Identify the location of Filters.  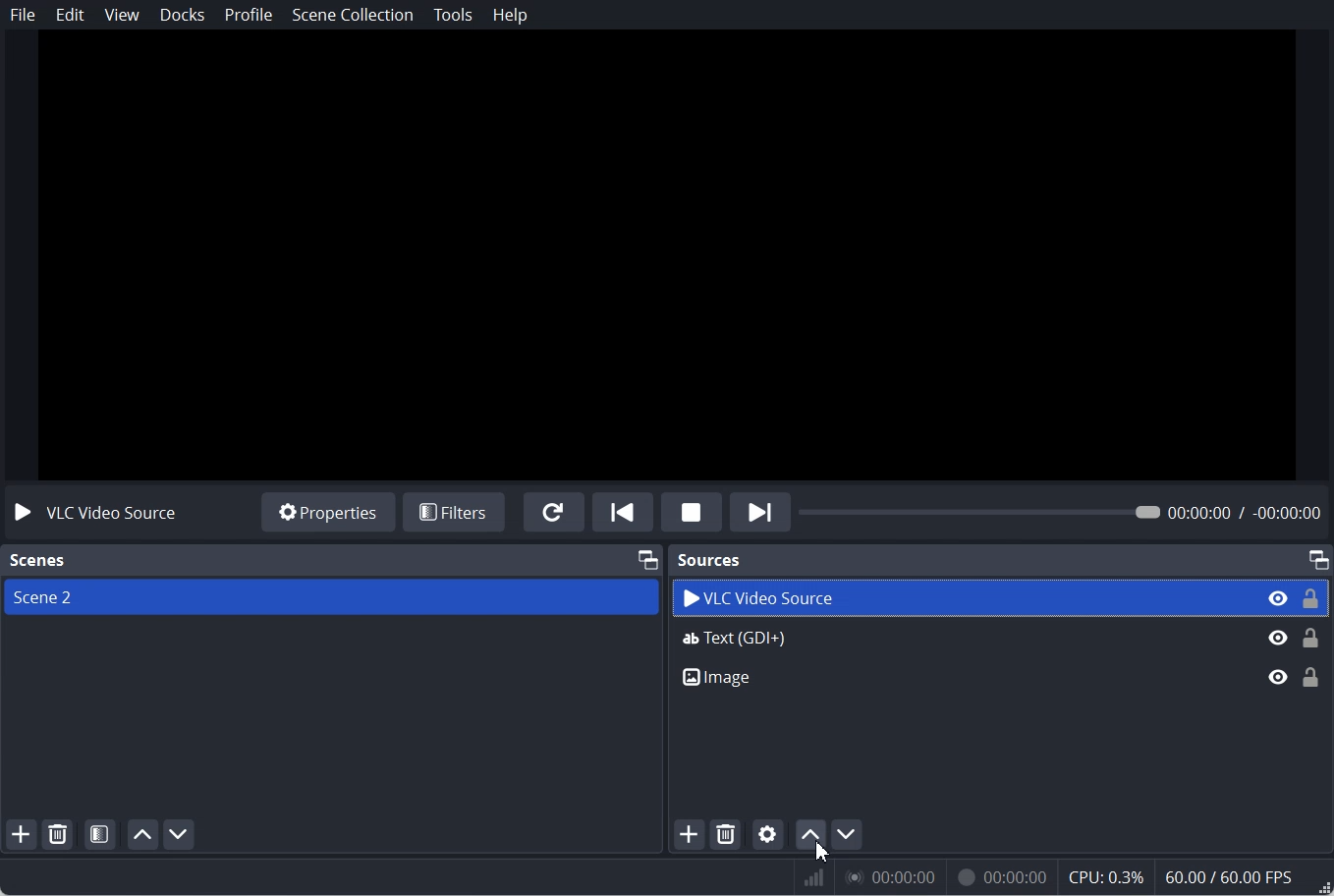
(455, 512).